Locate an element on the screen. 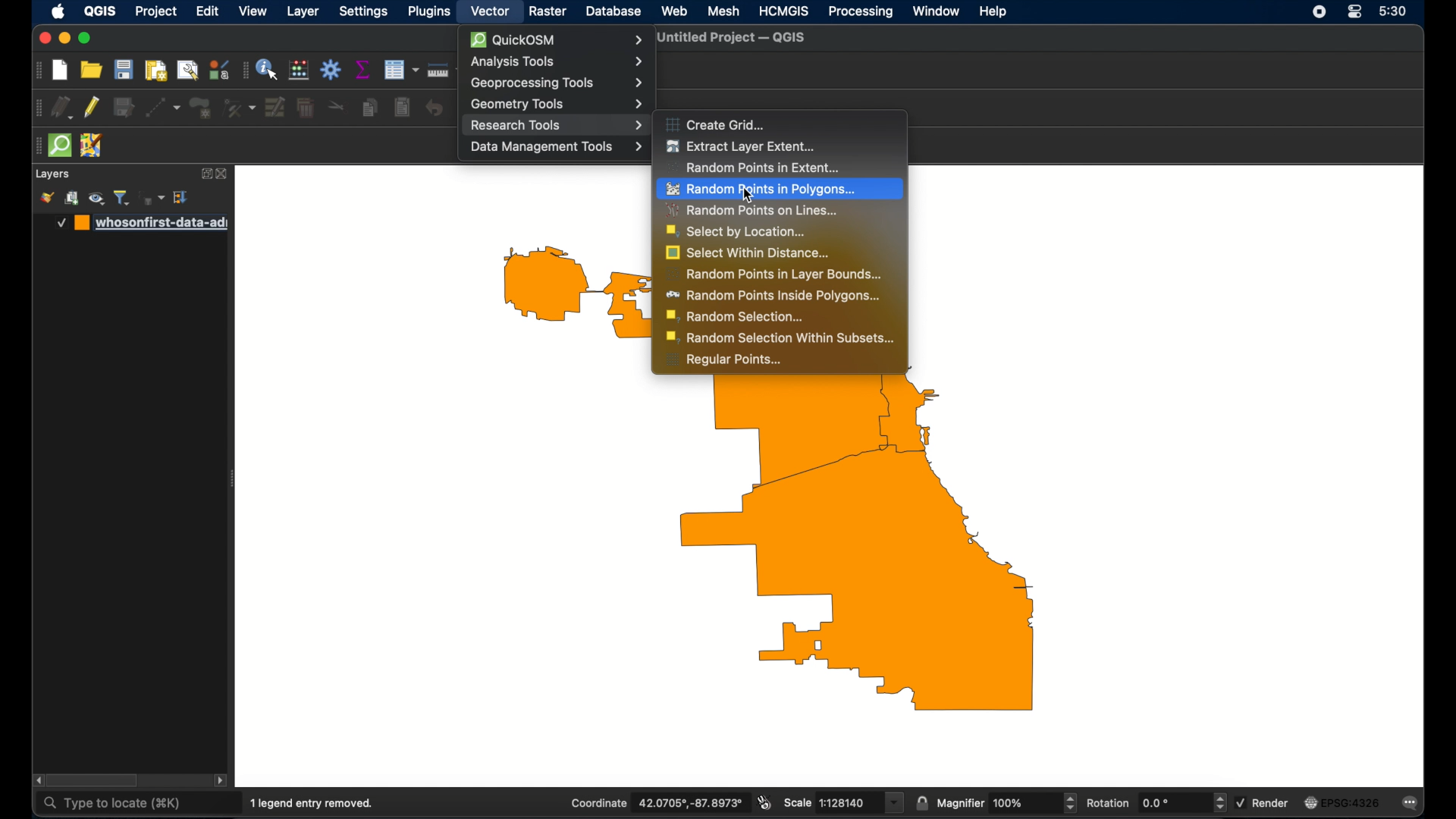 This screenshot has height=819, width=1456. paste features is located at coordinates (403, 108).